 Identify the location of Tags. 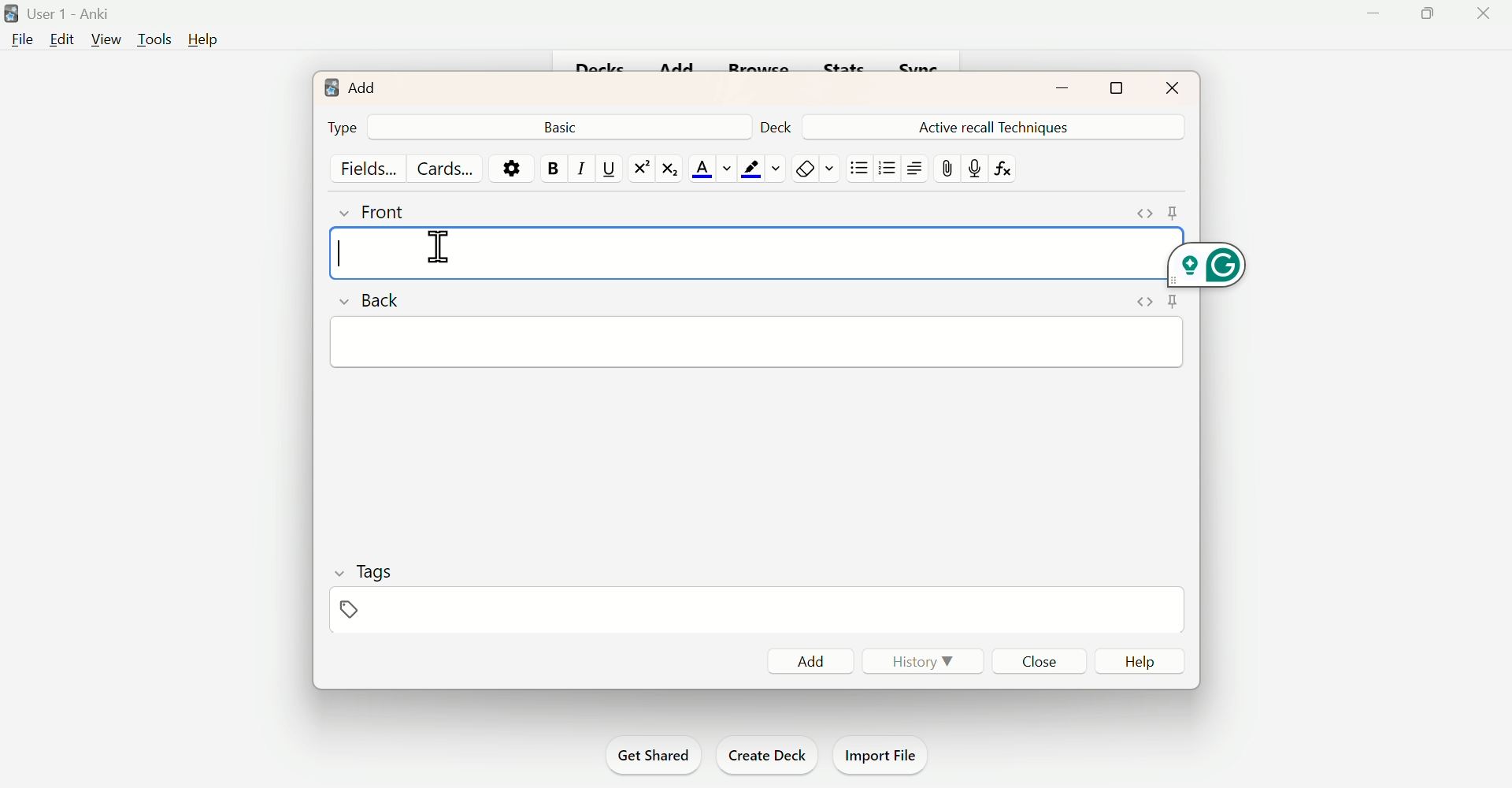
(369, 592).